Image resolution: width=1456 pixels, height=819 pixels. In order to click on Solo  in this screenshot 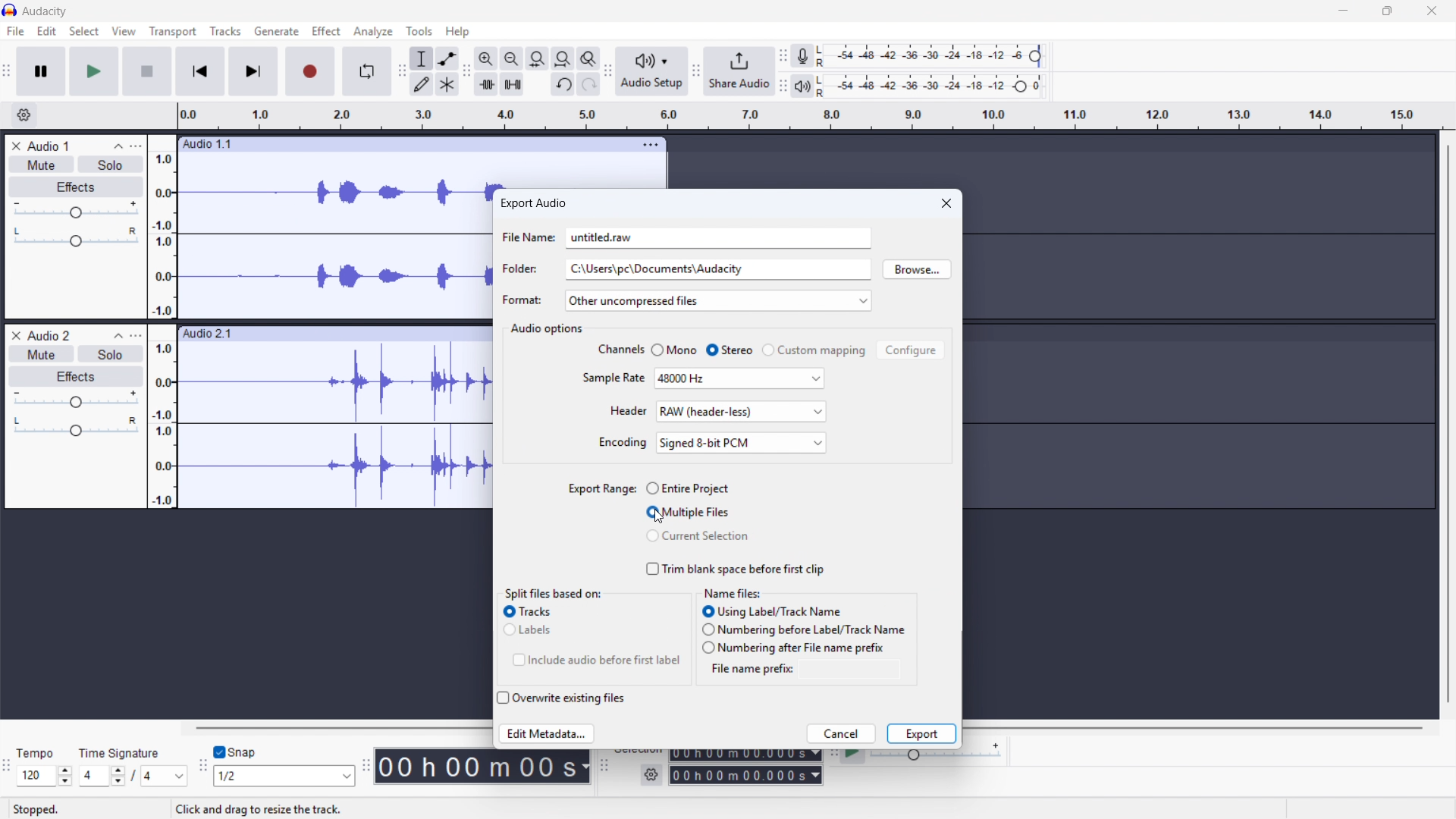, I will do `click(111, 353)`.